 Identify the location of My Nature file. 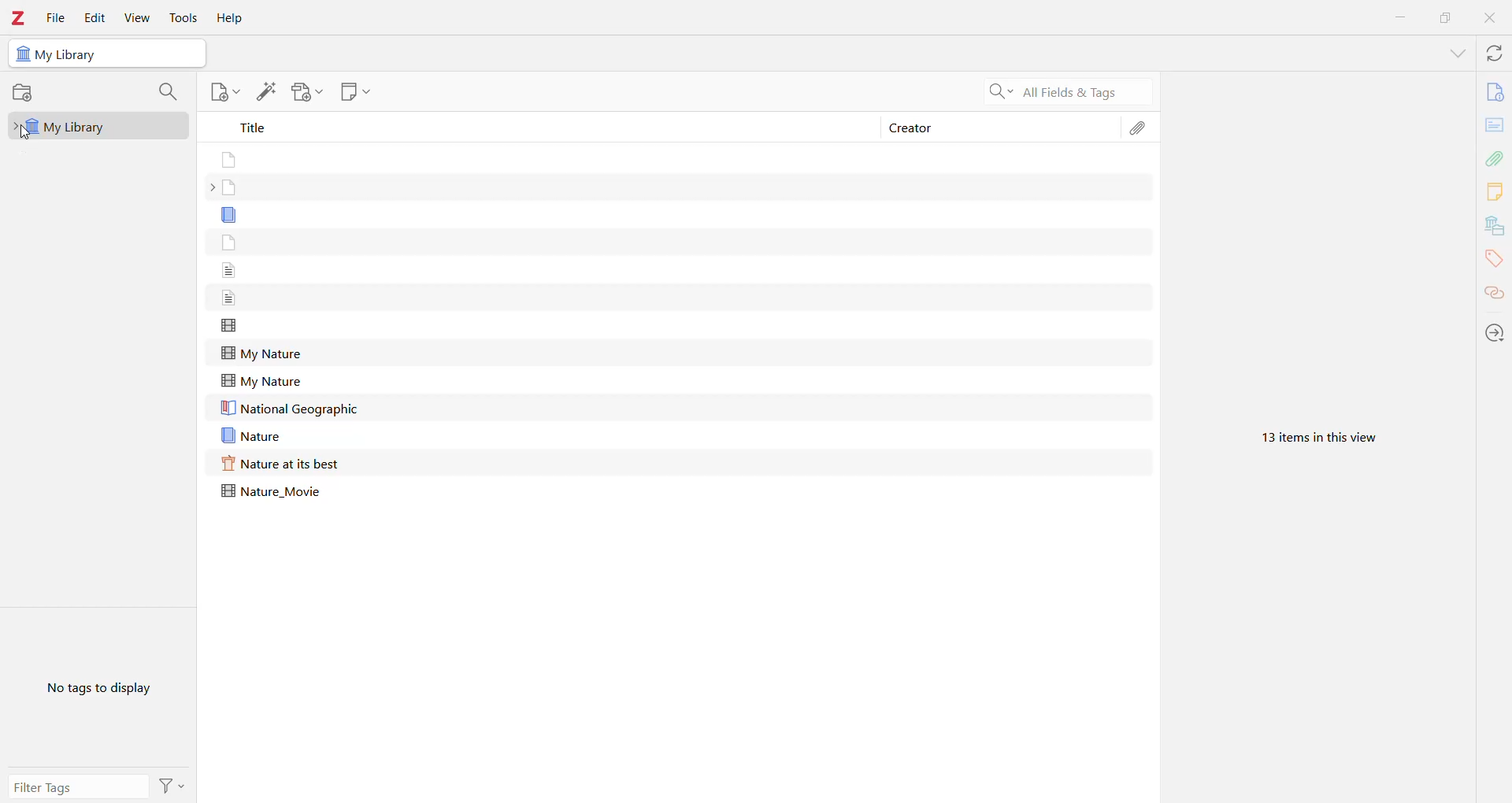
(263, 381).